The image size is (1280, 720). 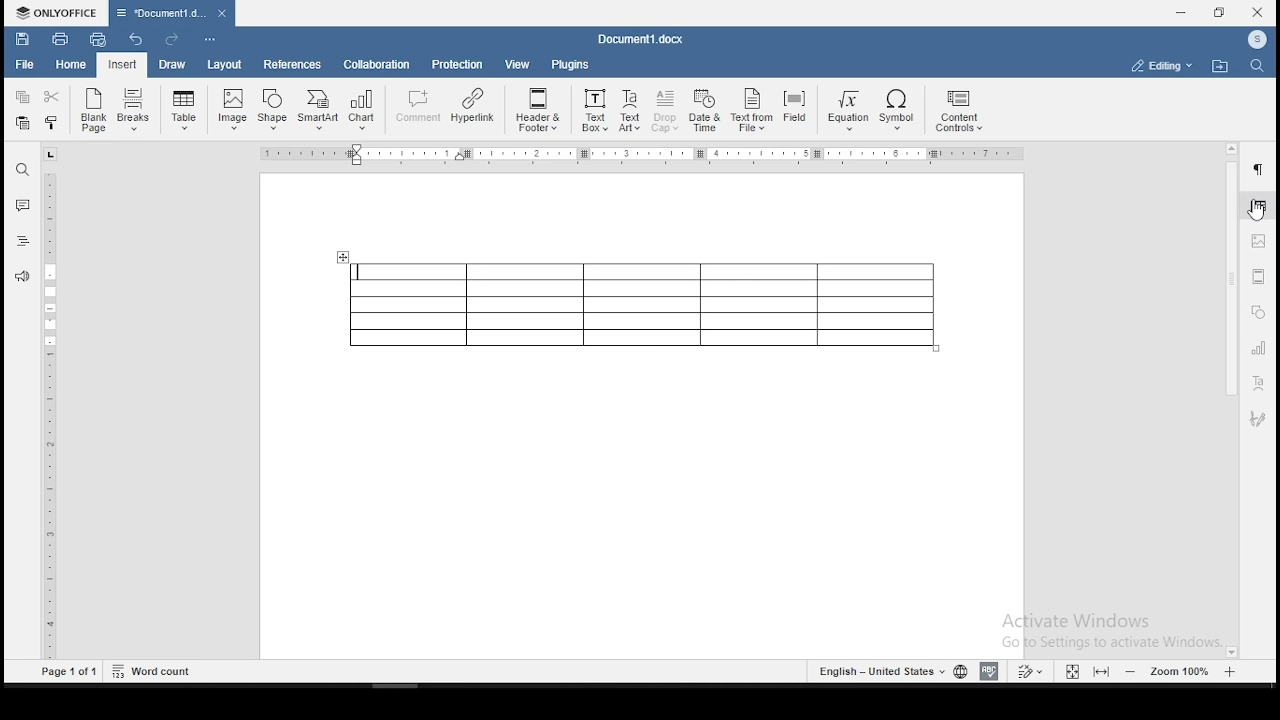 I want to click on protection, so click(x=459, y=64).